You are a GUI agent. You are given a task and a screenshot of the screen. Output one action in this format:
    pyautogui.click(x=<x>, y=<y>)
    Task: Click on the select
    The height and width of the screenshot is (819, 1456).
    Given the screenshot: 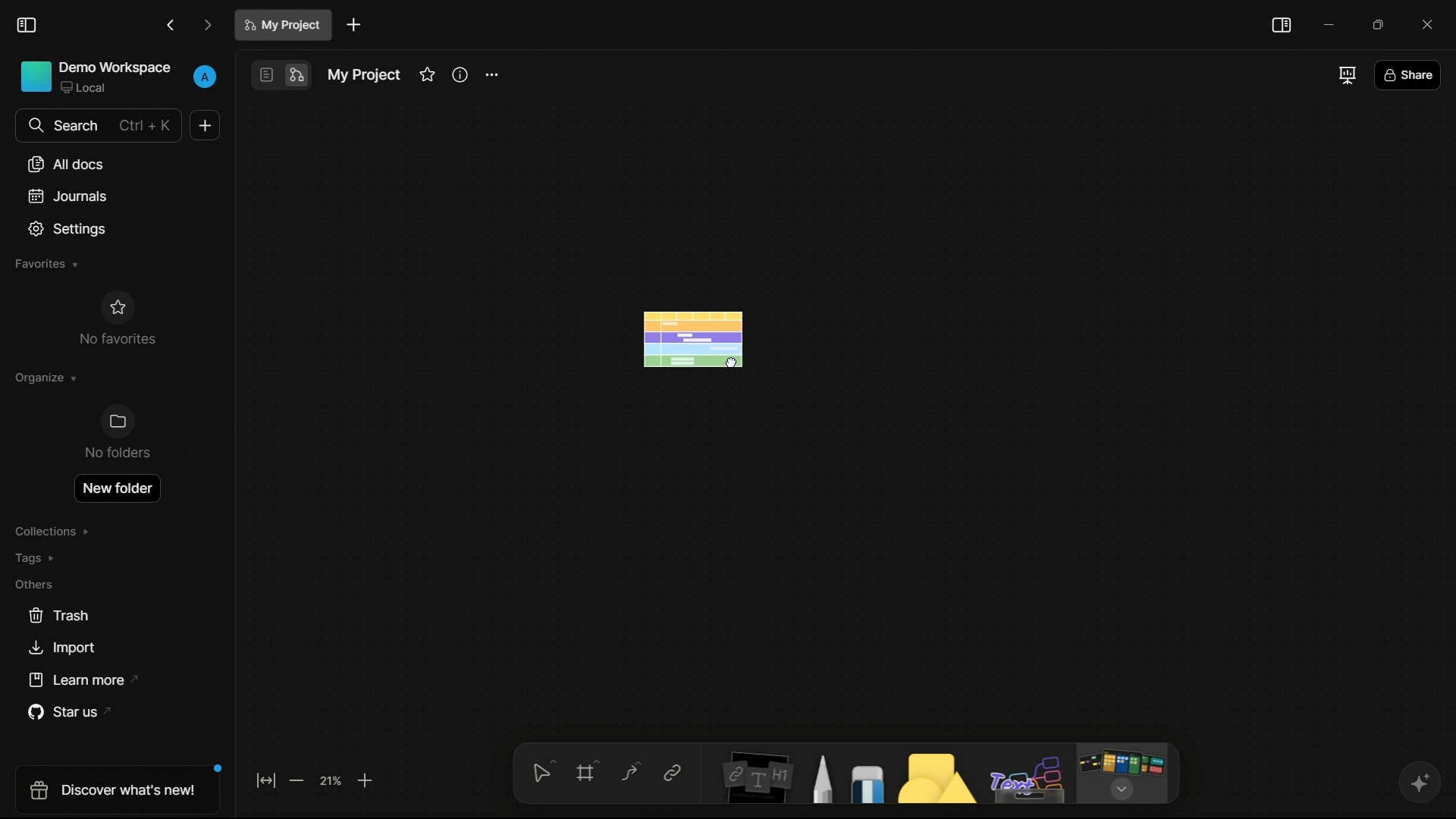 What is the action you would take?
    pyautogui.click(x=544, y=773)
    